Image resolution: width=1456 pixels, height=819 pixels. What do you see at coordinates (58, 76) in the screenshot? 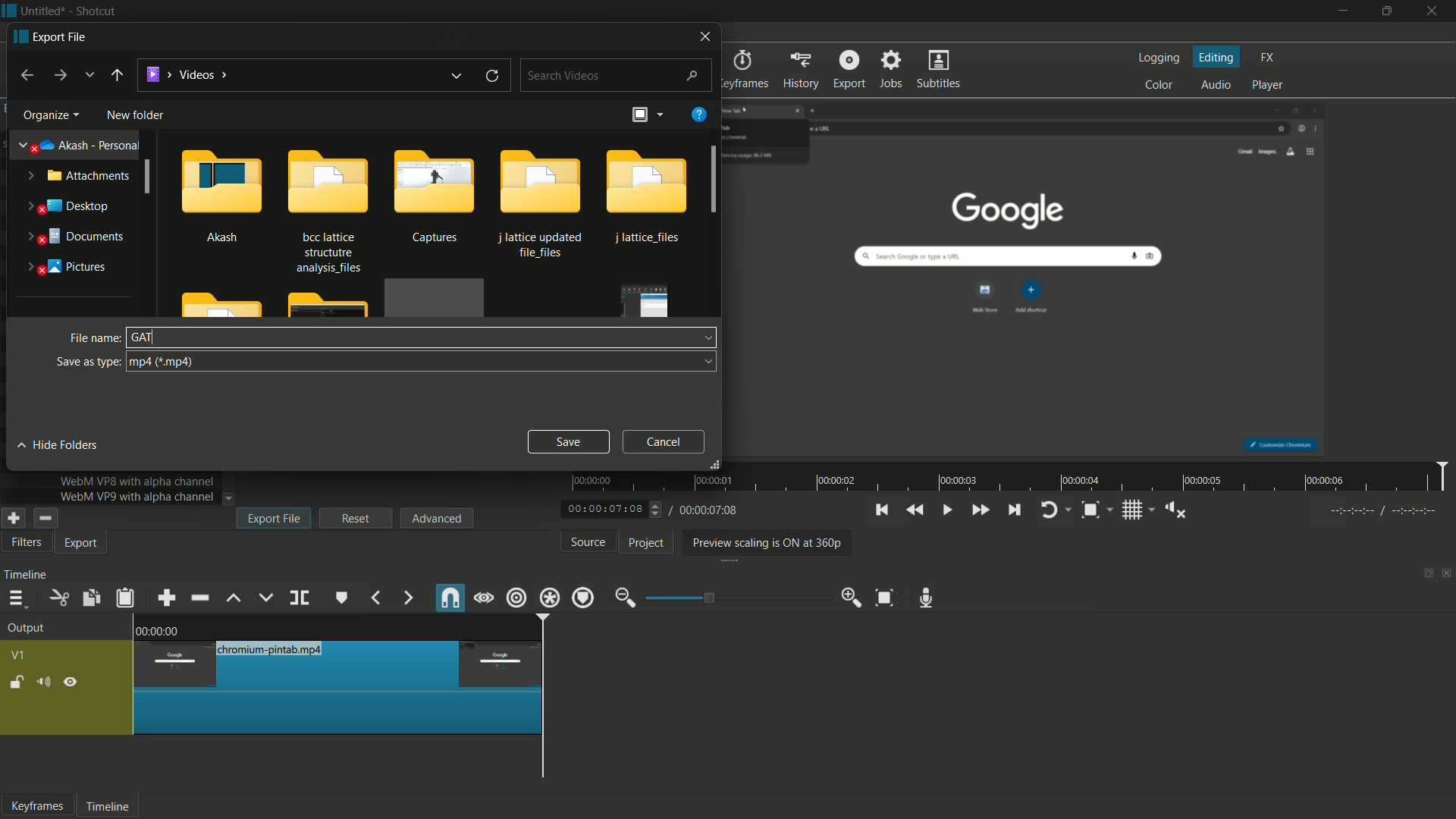
I see `forward` at bounding box center [58, 76].